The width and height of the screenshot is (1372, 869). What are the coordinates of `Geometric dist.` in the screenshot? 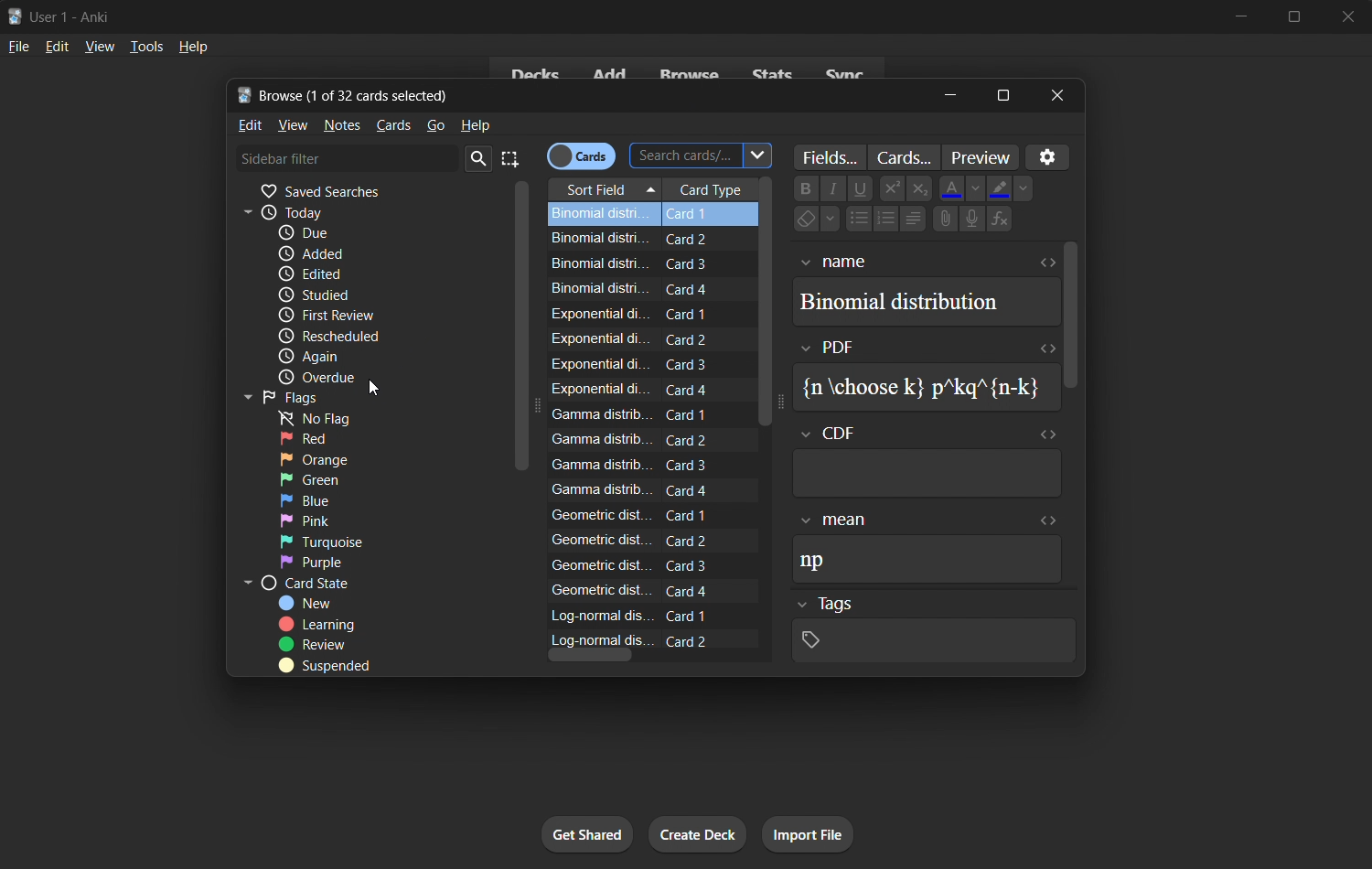 It's located at (598, 590).